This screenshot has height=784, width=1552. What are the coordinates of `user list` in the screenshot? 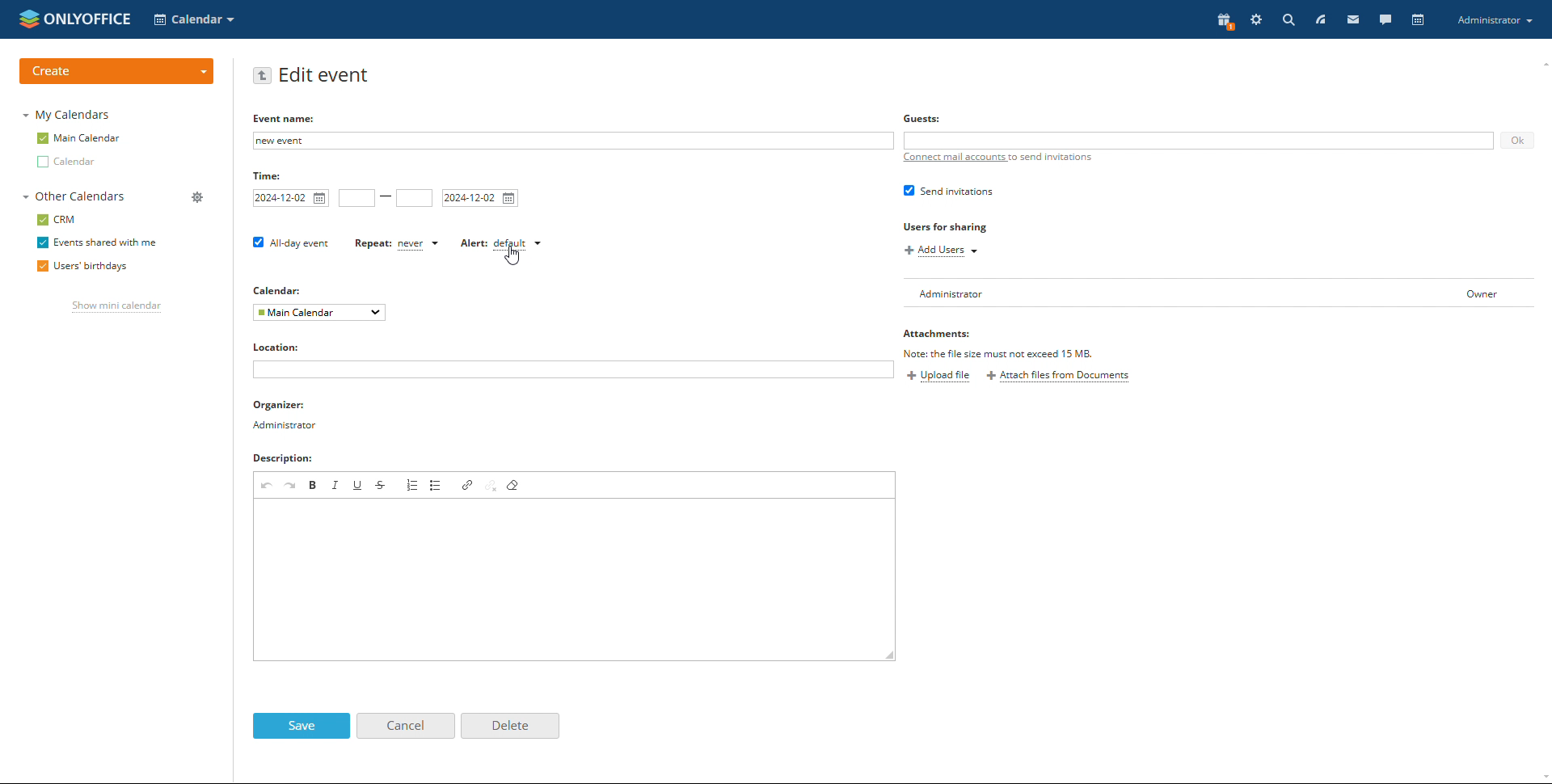 It's located at (1213, 293).